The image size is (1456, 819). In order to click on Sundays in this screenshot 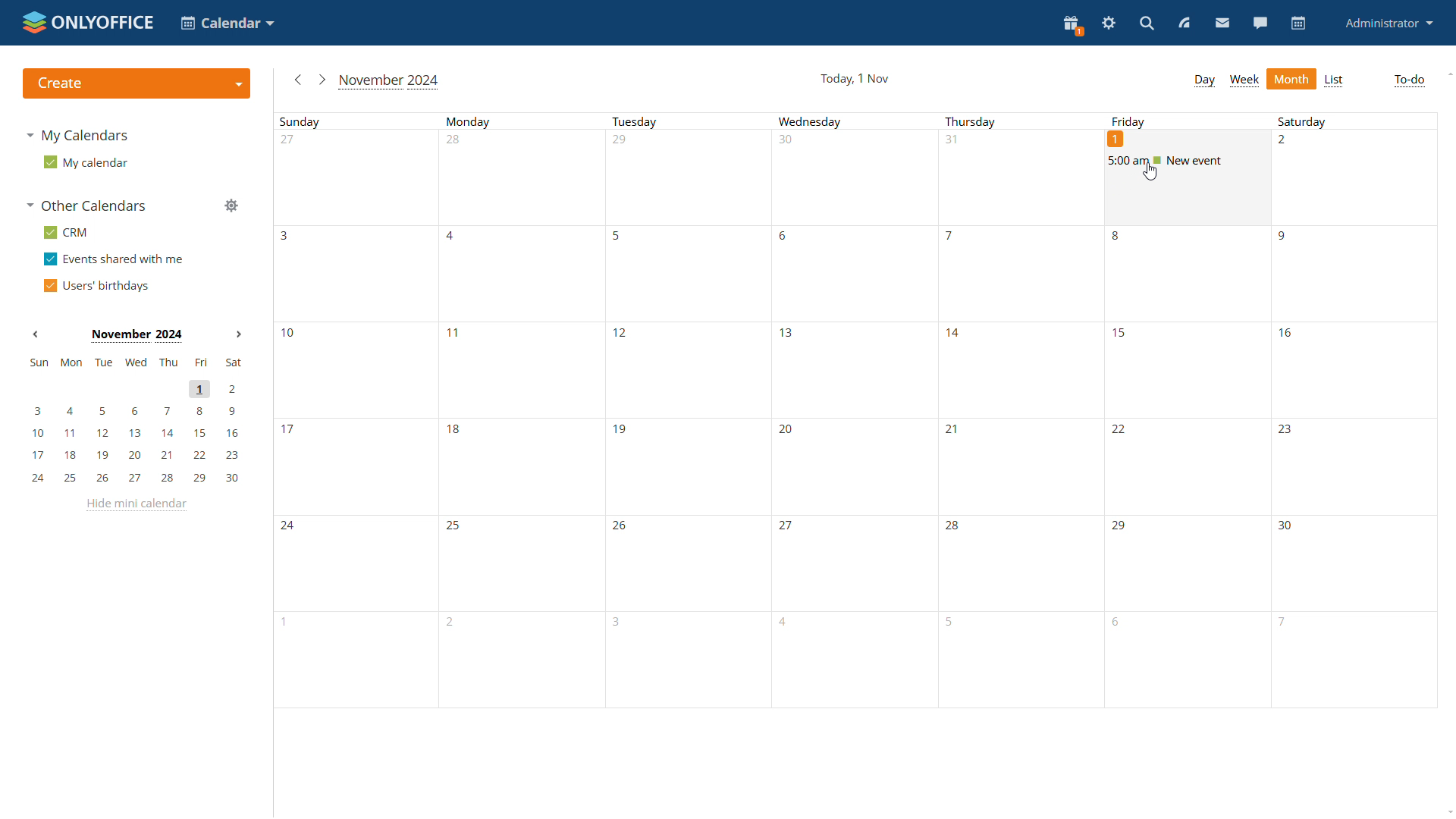, I will do `click(356, 411)`.